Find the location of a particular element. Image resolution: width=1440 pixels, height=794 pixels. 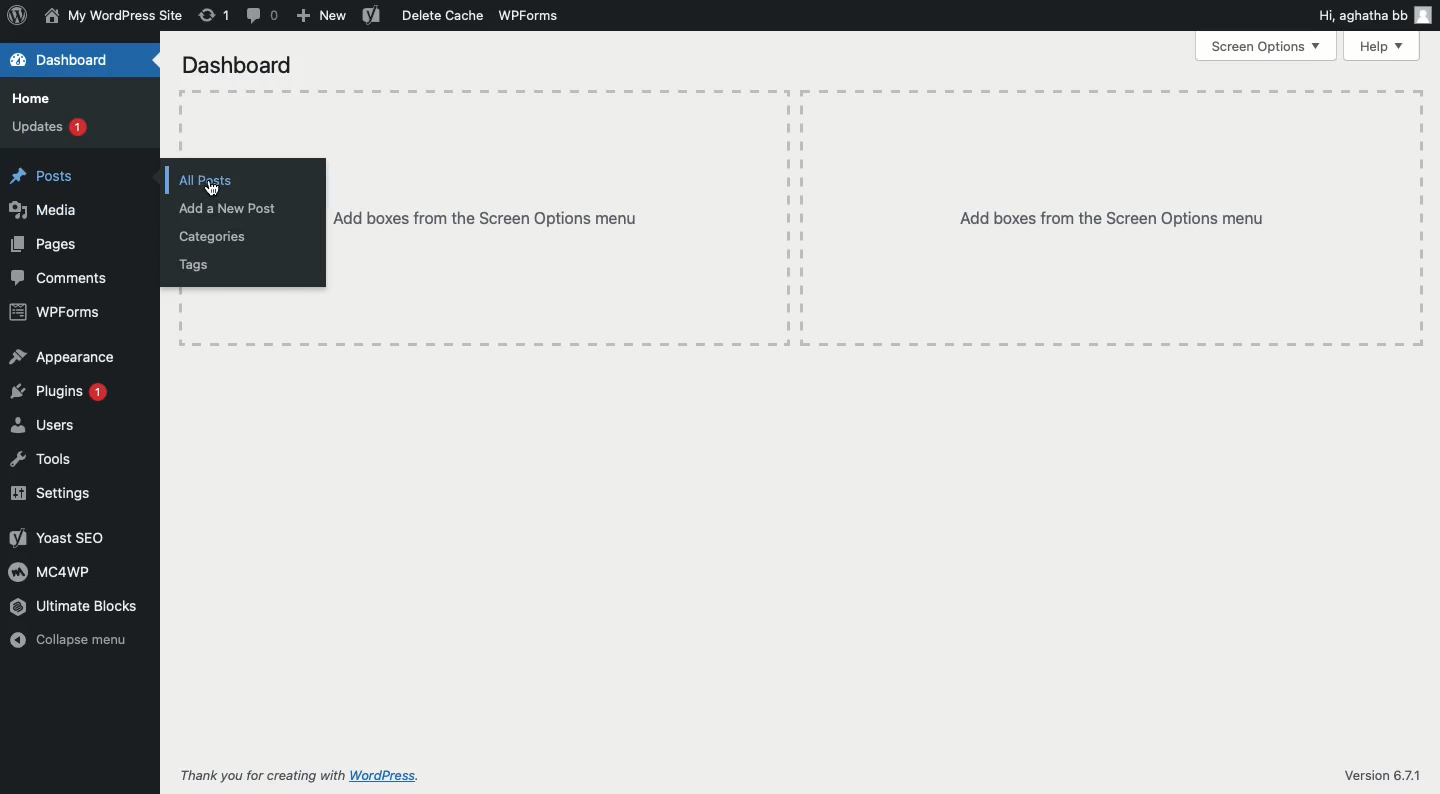

Hi, aghatha bb  is located at coordinates (1374, 15).